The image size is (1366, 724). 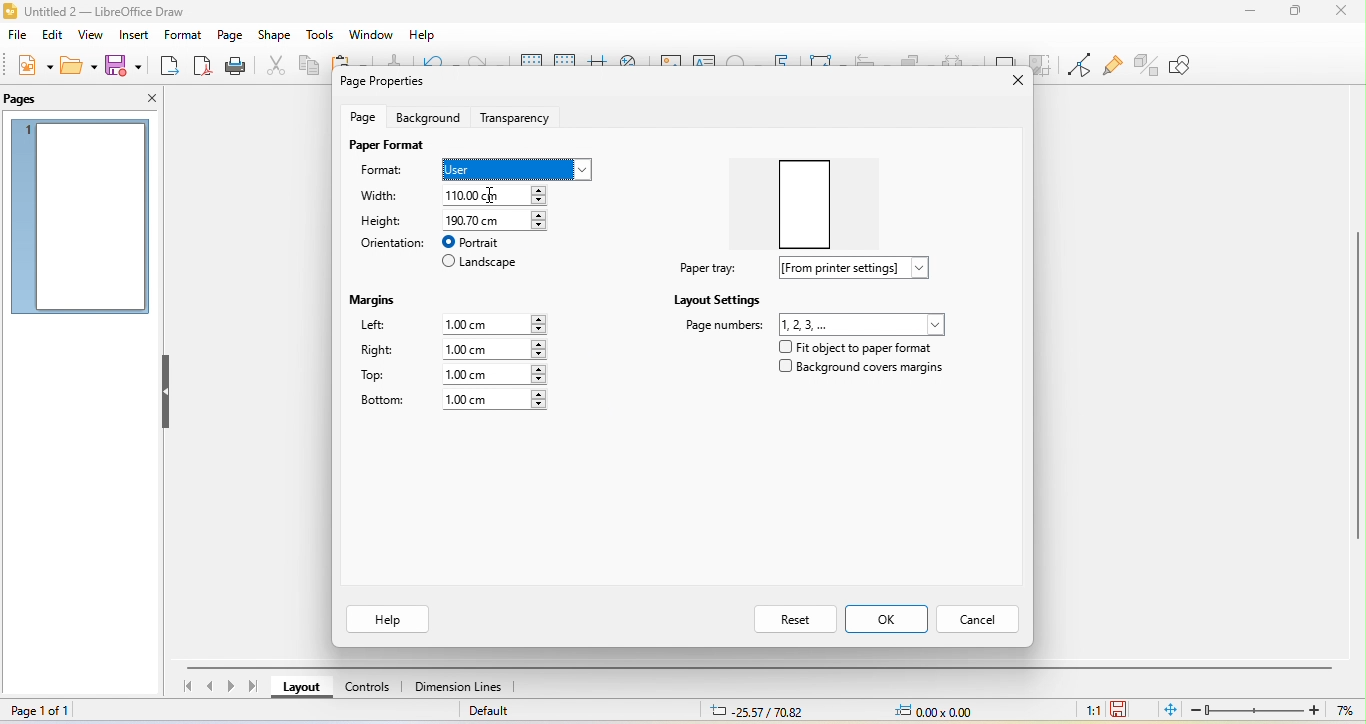 What do you see at coordinates (493, 349) in the screenshot?
I see `1.00 cm` at bounding box center [493, 349].